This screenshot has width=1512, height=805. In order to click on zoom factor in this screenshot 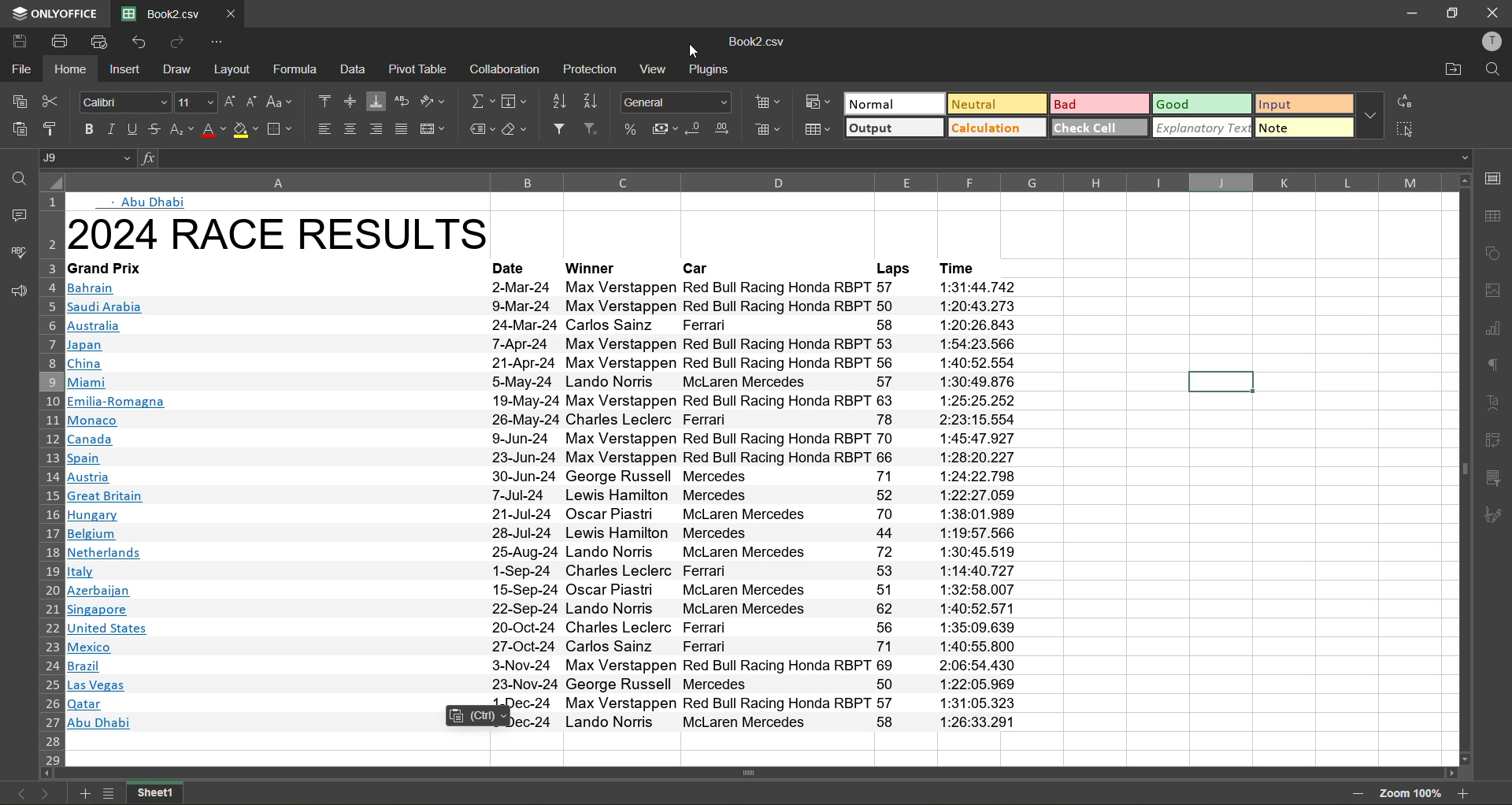, I will do `click(1410, 792)`.